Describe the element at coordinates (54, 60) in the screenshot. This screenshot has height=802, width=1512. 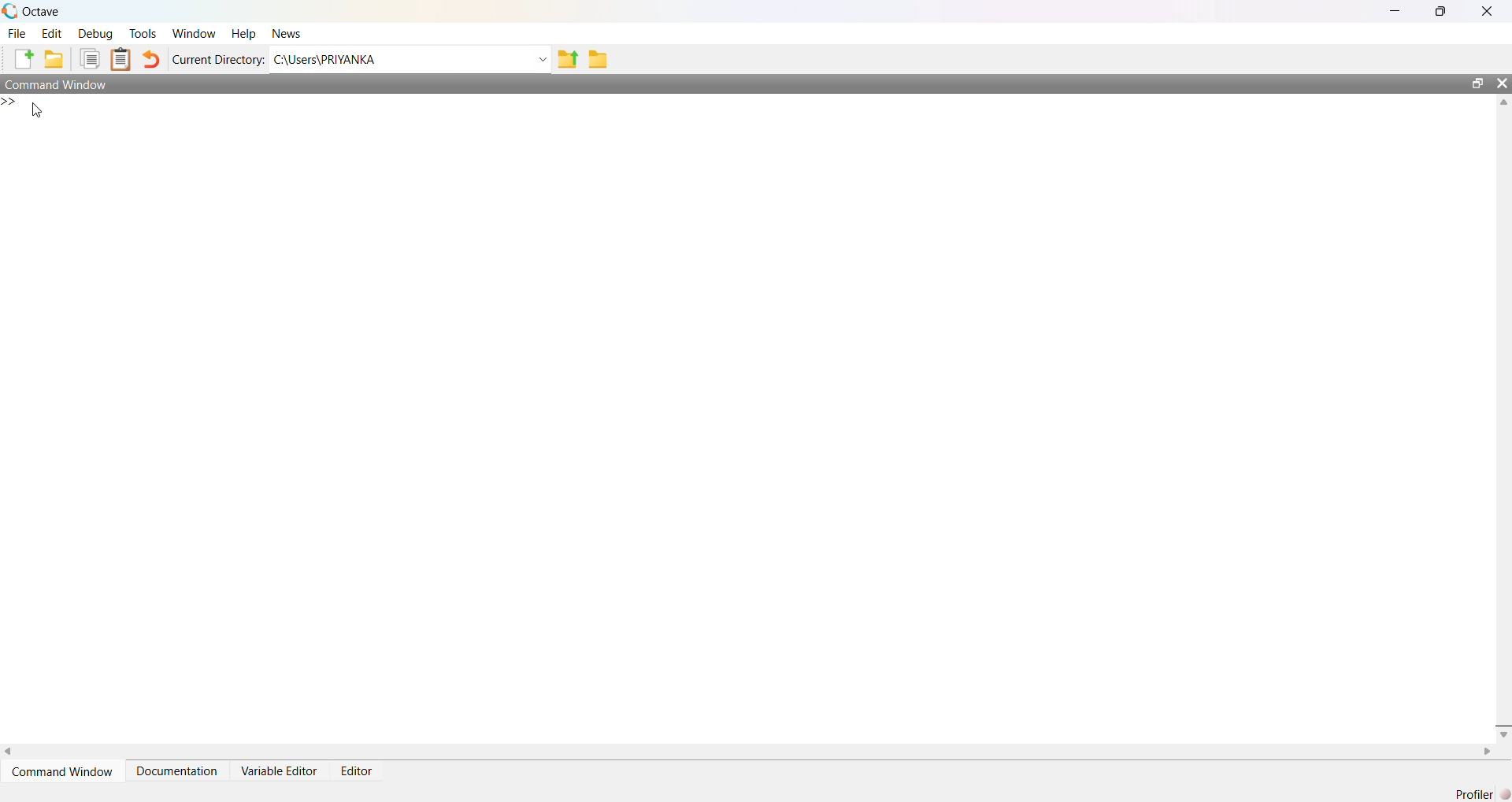
I see `add folder` at that location.